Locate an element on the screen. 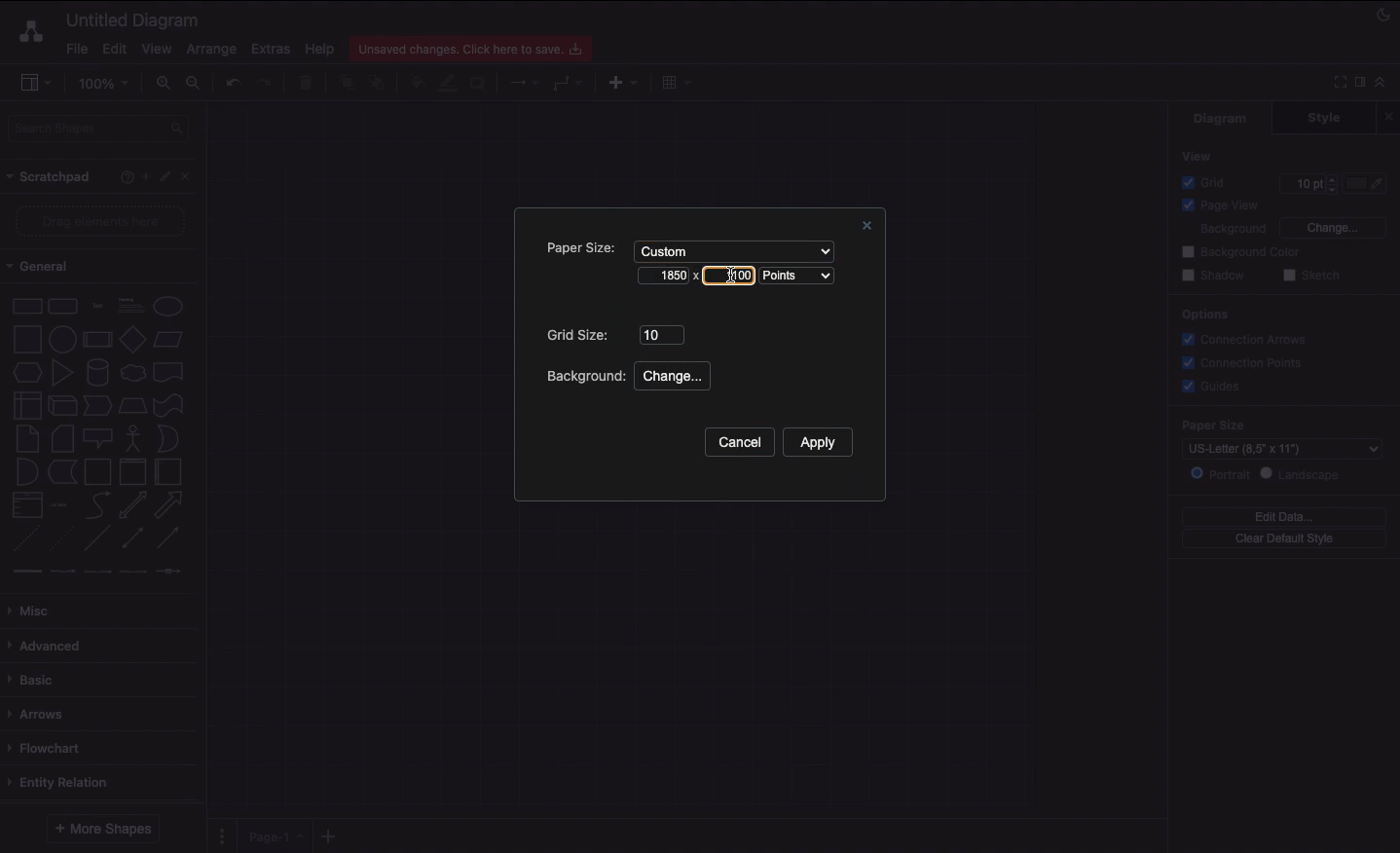 The height and width of the screenshot is (853, 1400). Draw.io is located at coordinates (27, 31).